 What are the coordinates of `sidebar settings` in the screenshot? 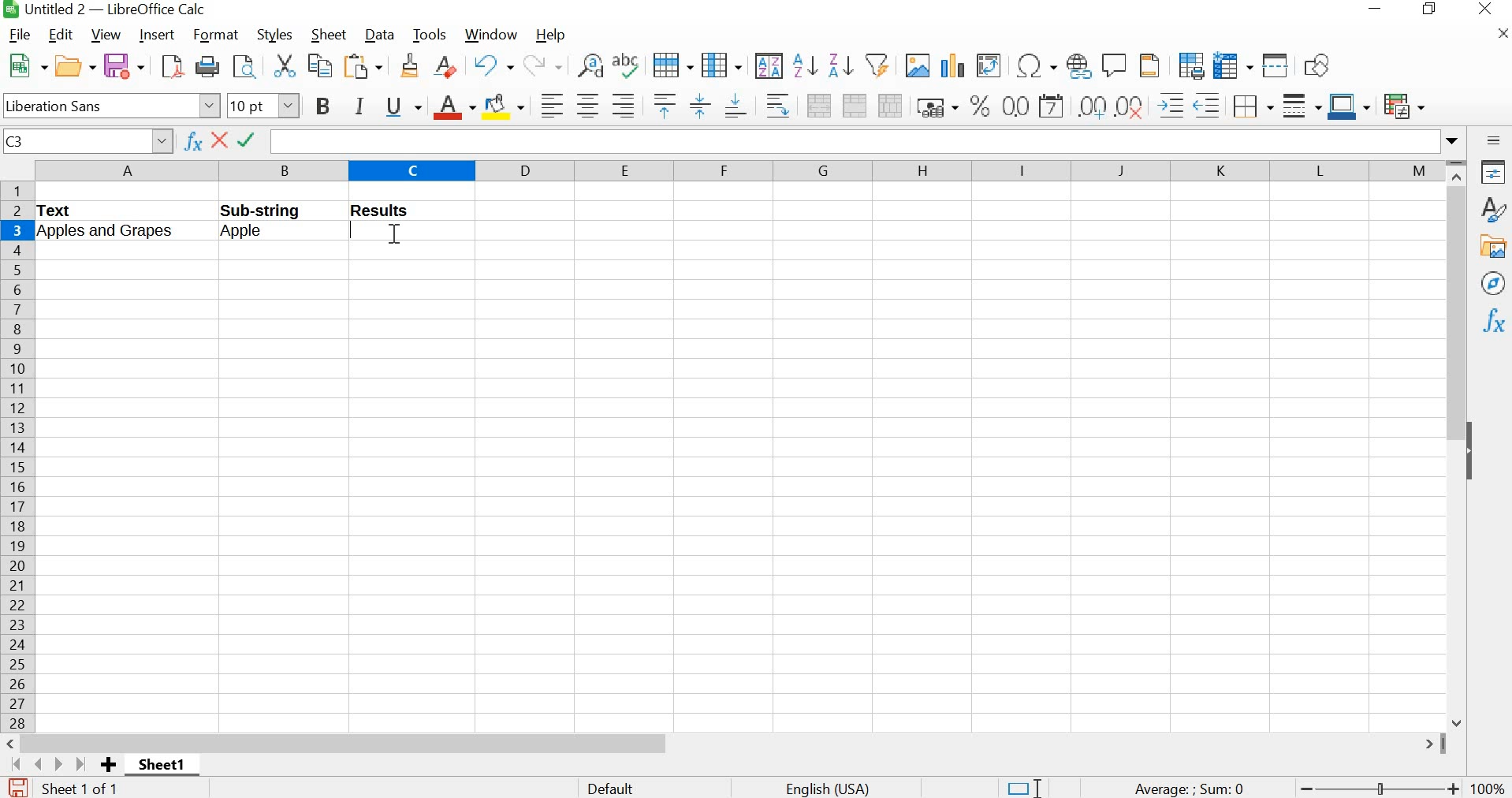 It's located at (1494, 140).